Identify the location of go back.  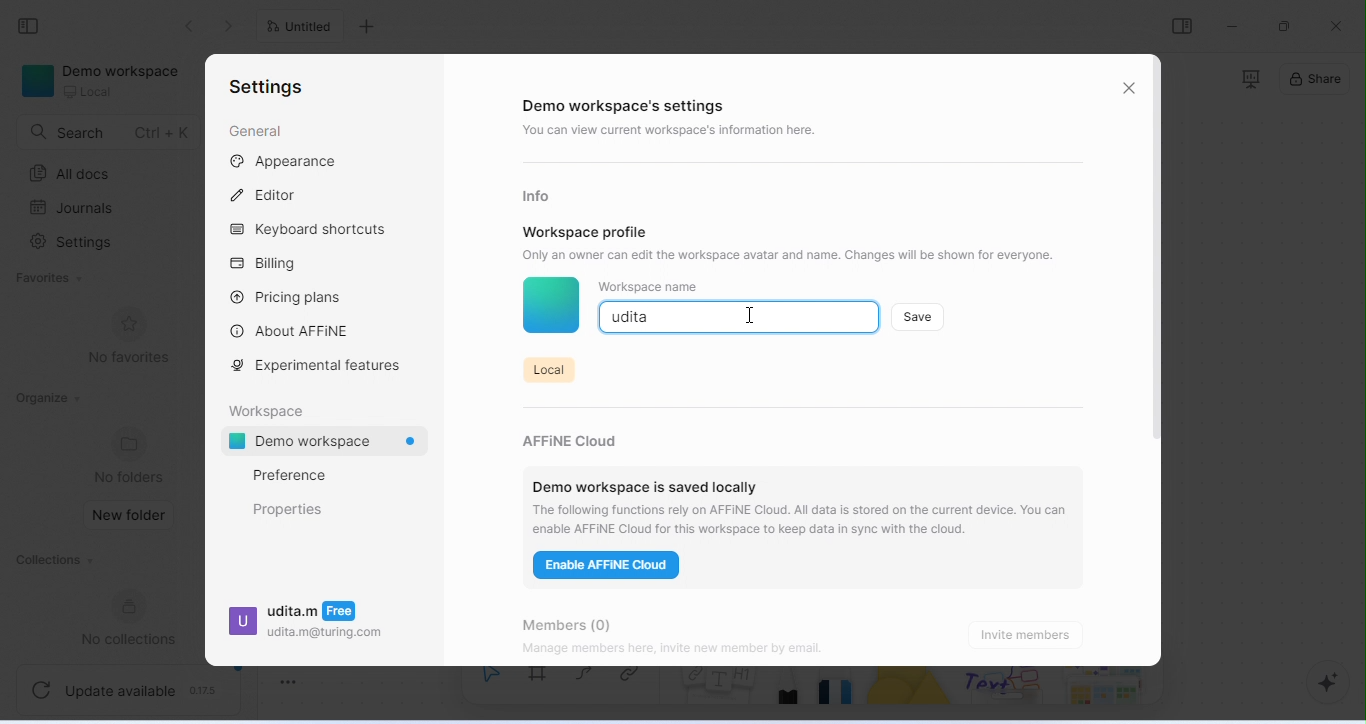
(190, 26).